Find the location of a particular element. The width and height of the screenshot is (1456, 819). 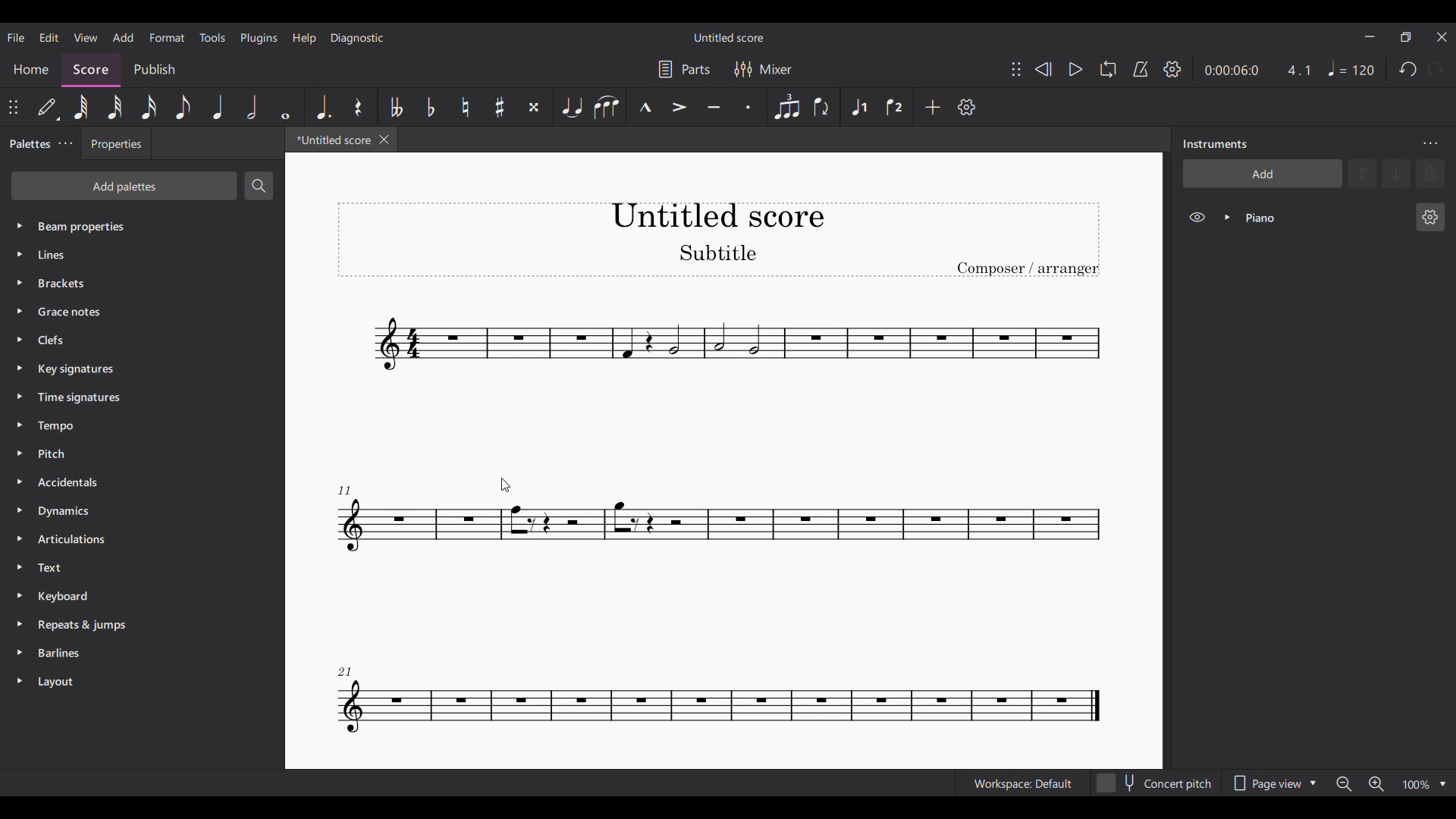

Default is located at coordinates (49, 107).